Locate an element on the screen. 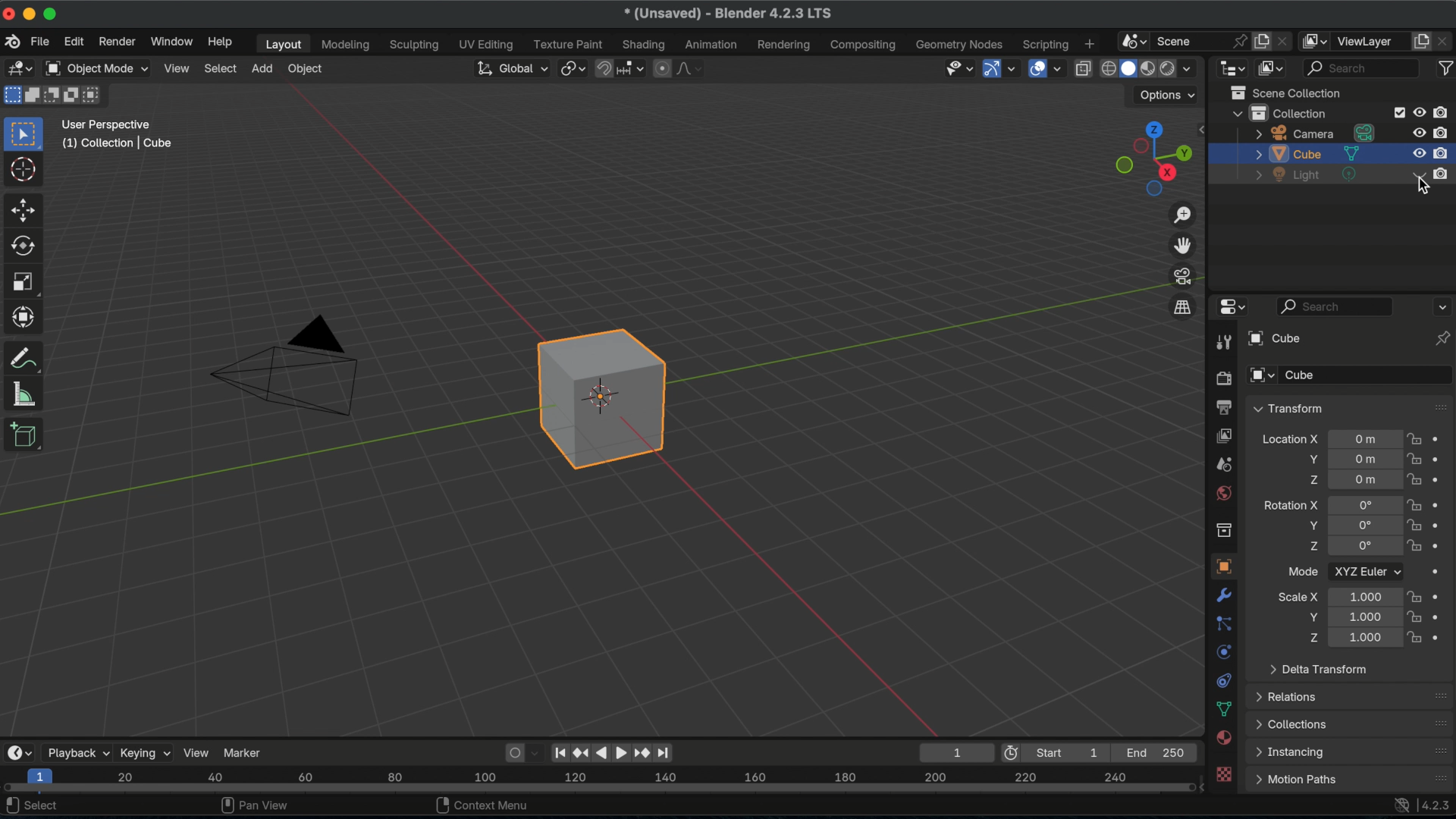 The height and width of the screenshot is (819, 1456). transform is located at coordinates (25, 315).